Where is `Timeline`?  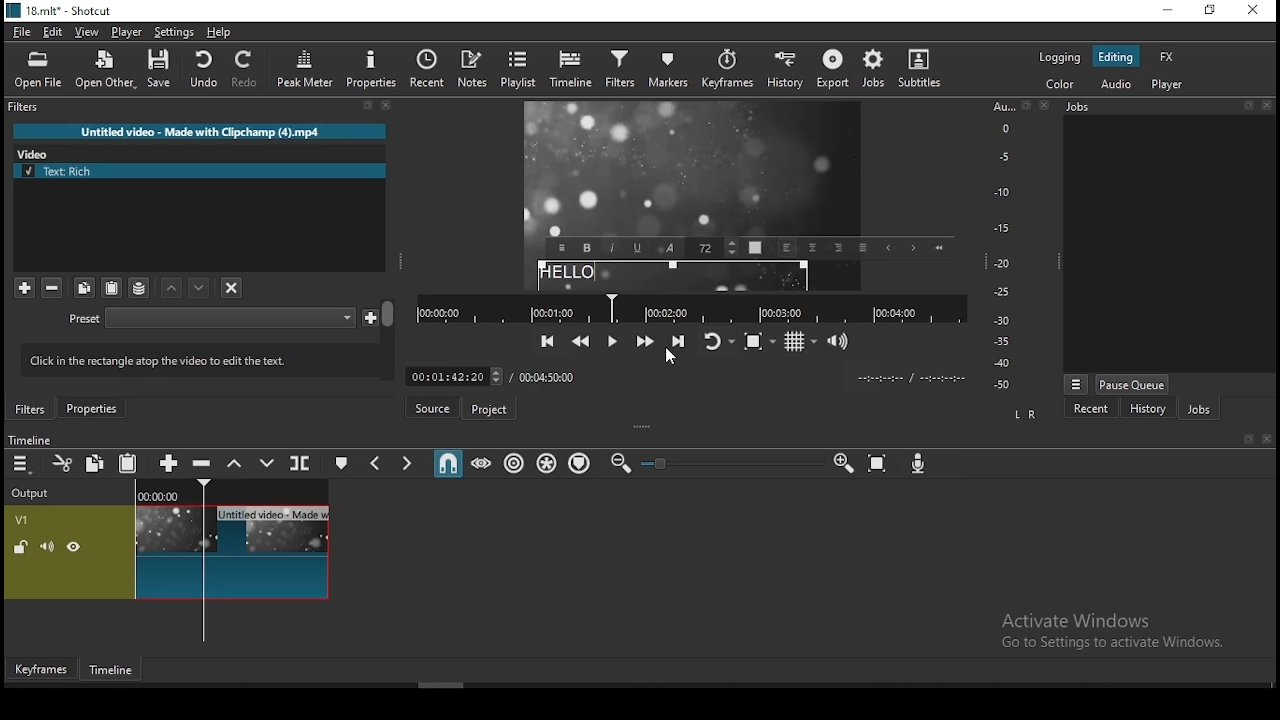
Timeline is located at coordinates (233, 490).